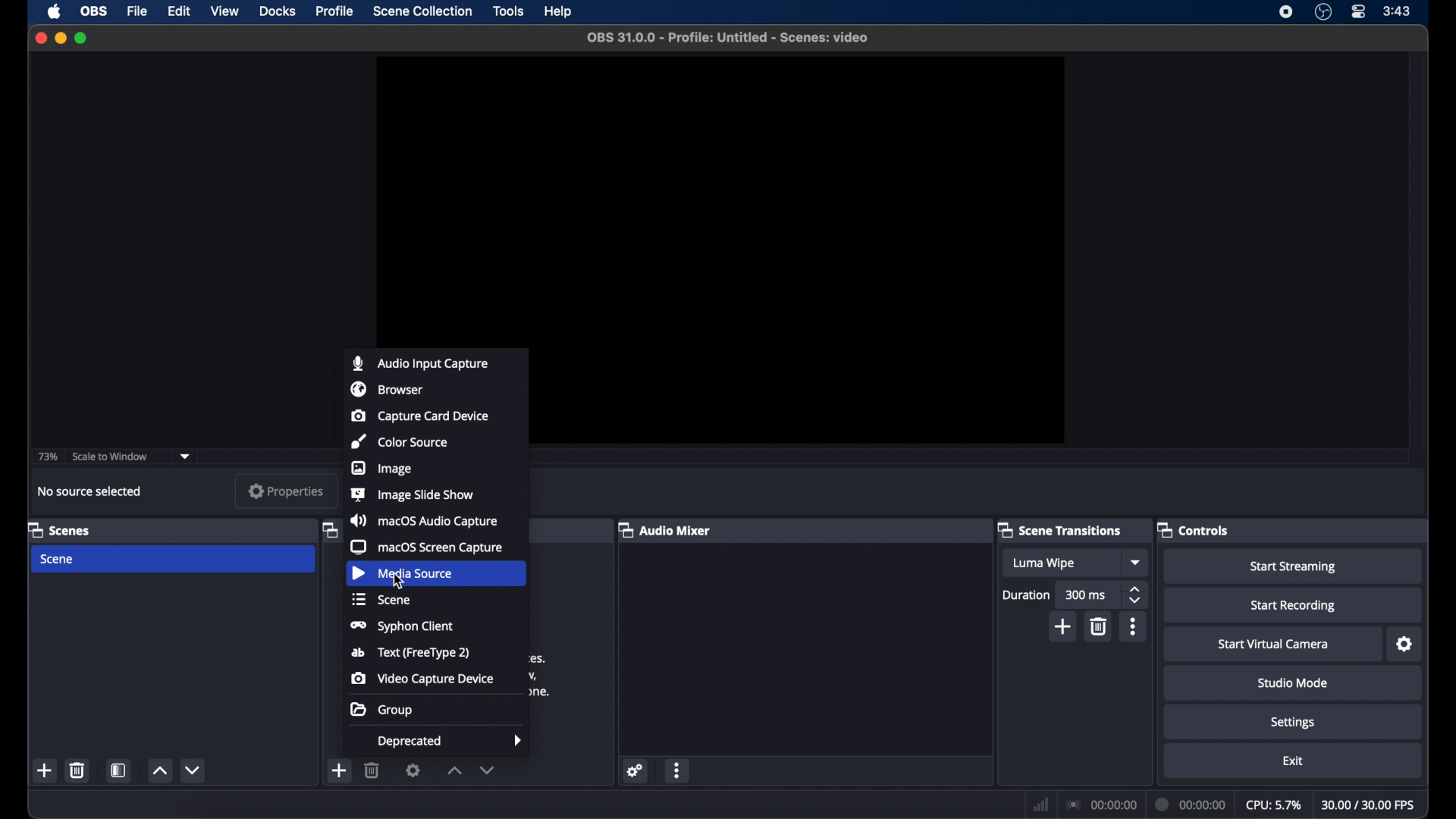 The image size is (1456, 819). I want to click on properties, so click(287, 491).